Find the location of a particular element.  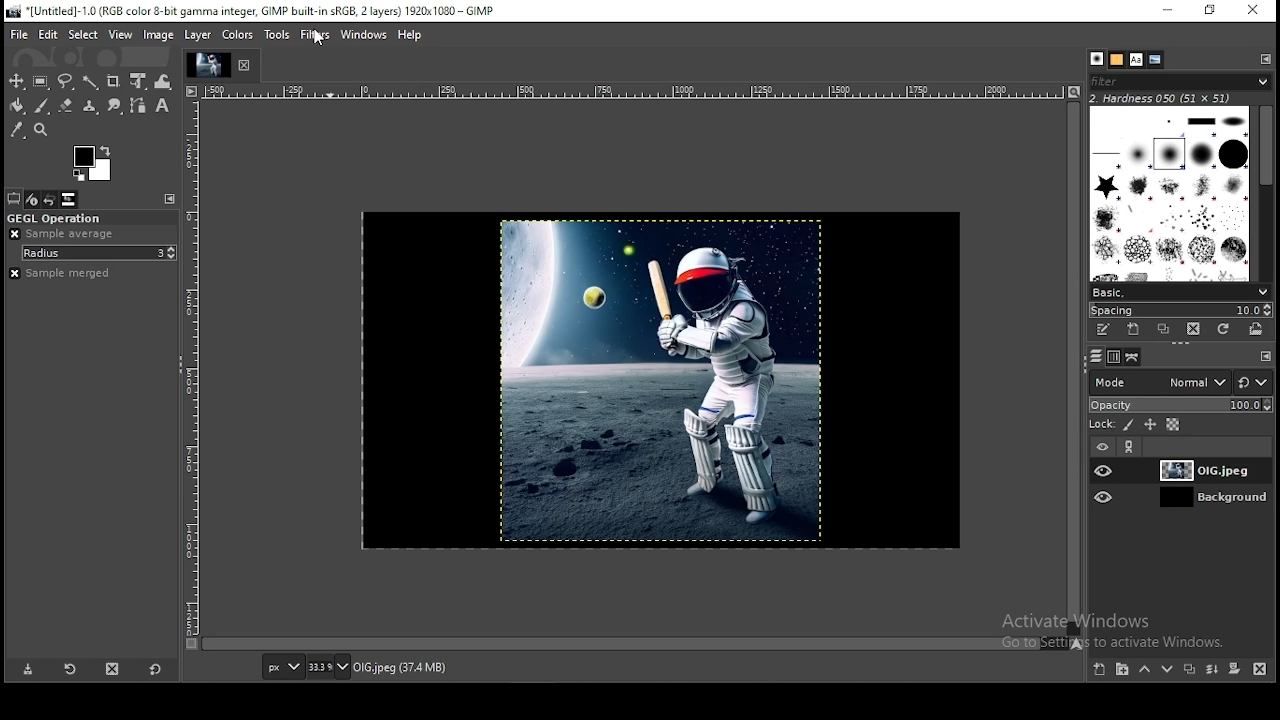

color picker tool is located at coordinates (18, 130).